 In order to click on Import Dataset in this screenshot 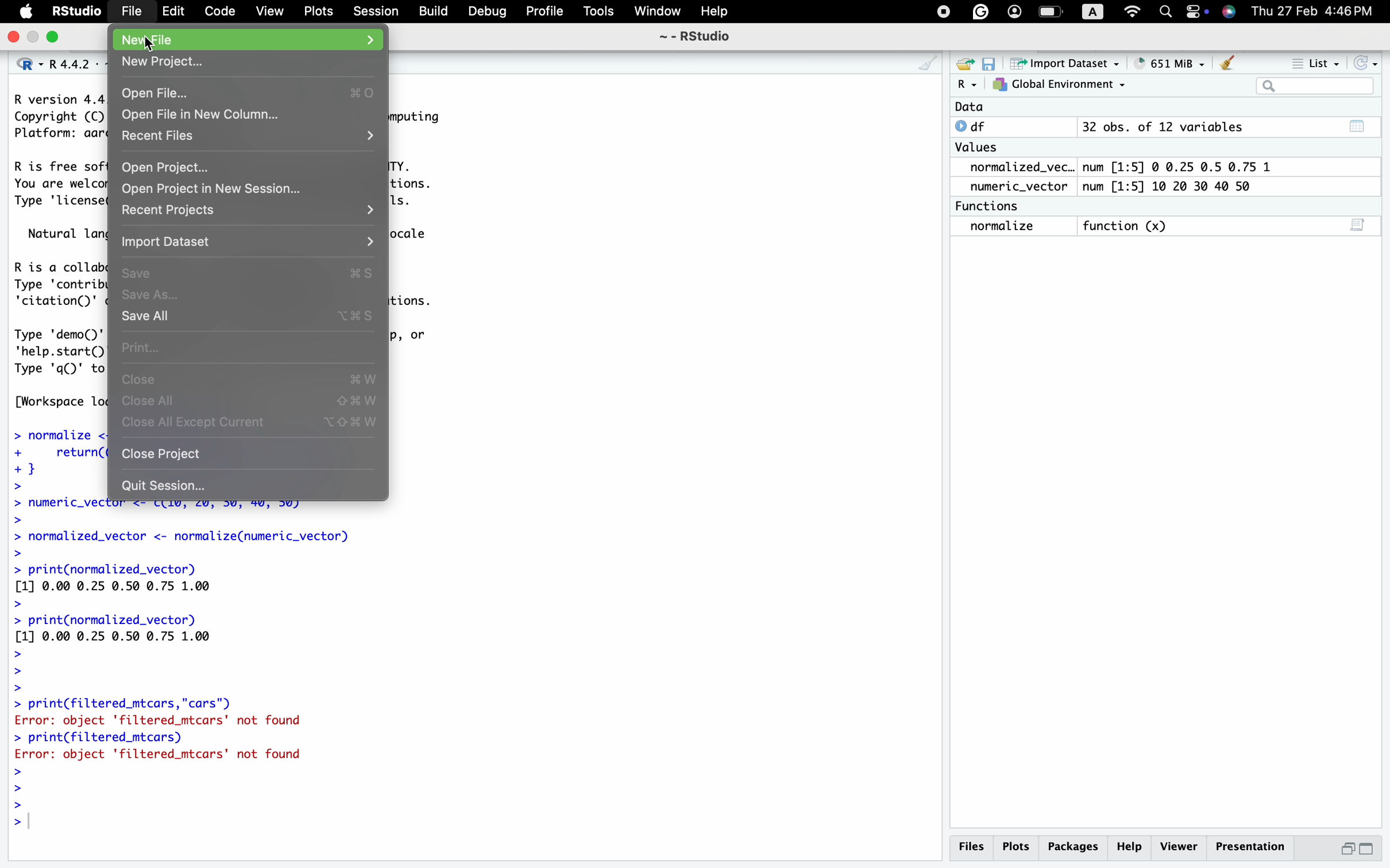, I will do `click(245, 243)`.